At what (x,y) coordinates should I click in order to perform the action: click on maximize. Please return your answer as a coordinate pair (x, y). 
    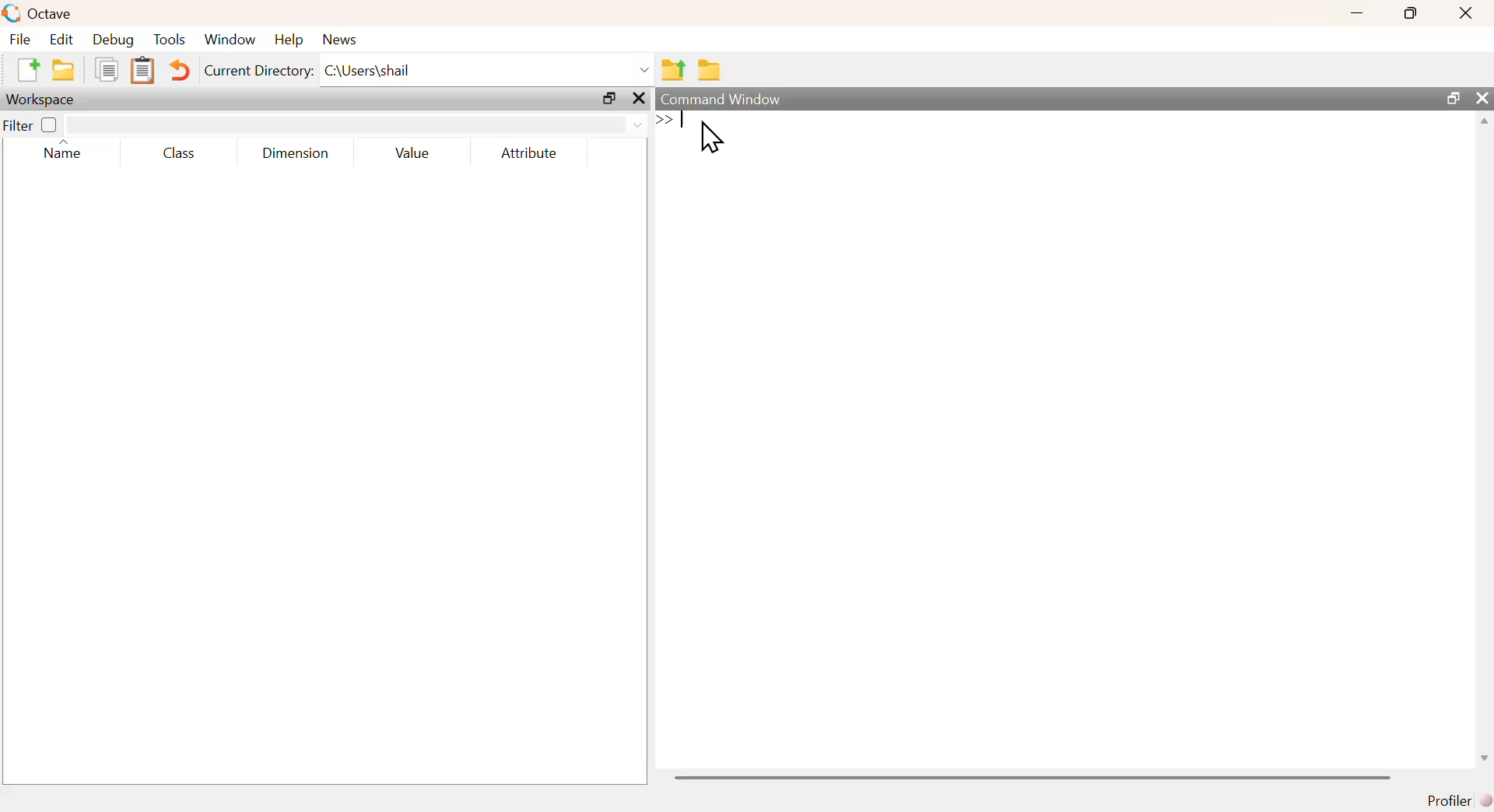
    Looking at the image, I should click on (1450, 97).